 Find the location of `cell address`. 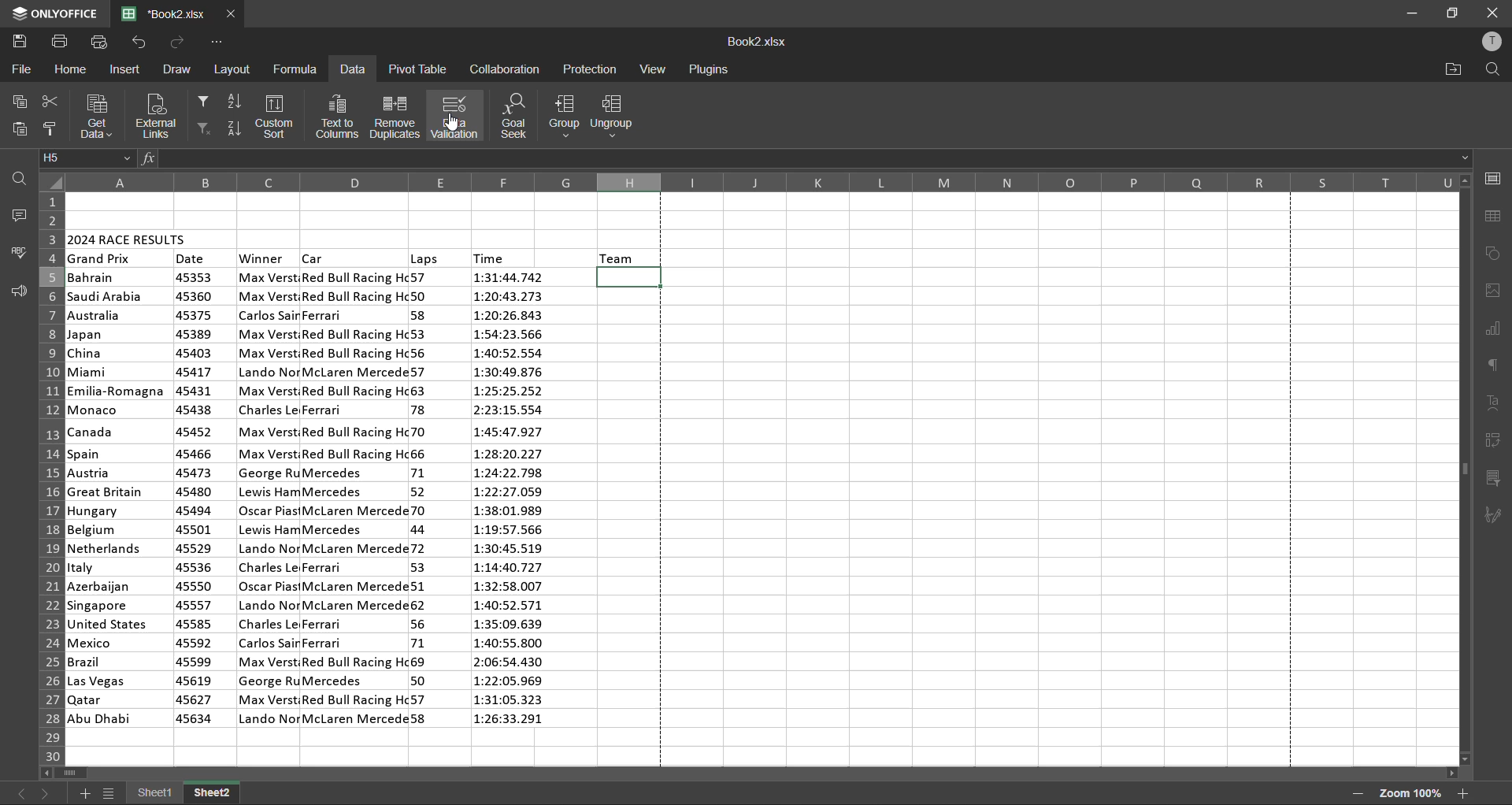

cell address is located at coordinates (87, 158).